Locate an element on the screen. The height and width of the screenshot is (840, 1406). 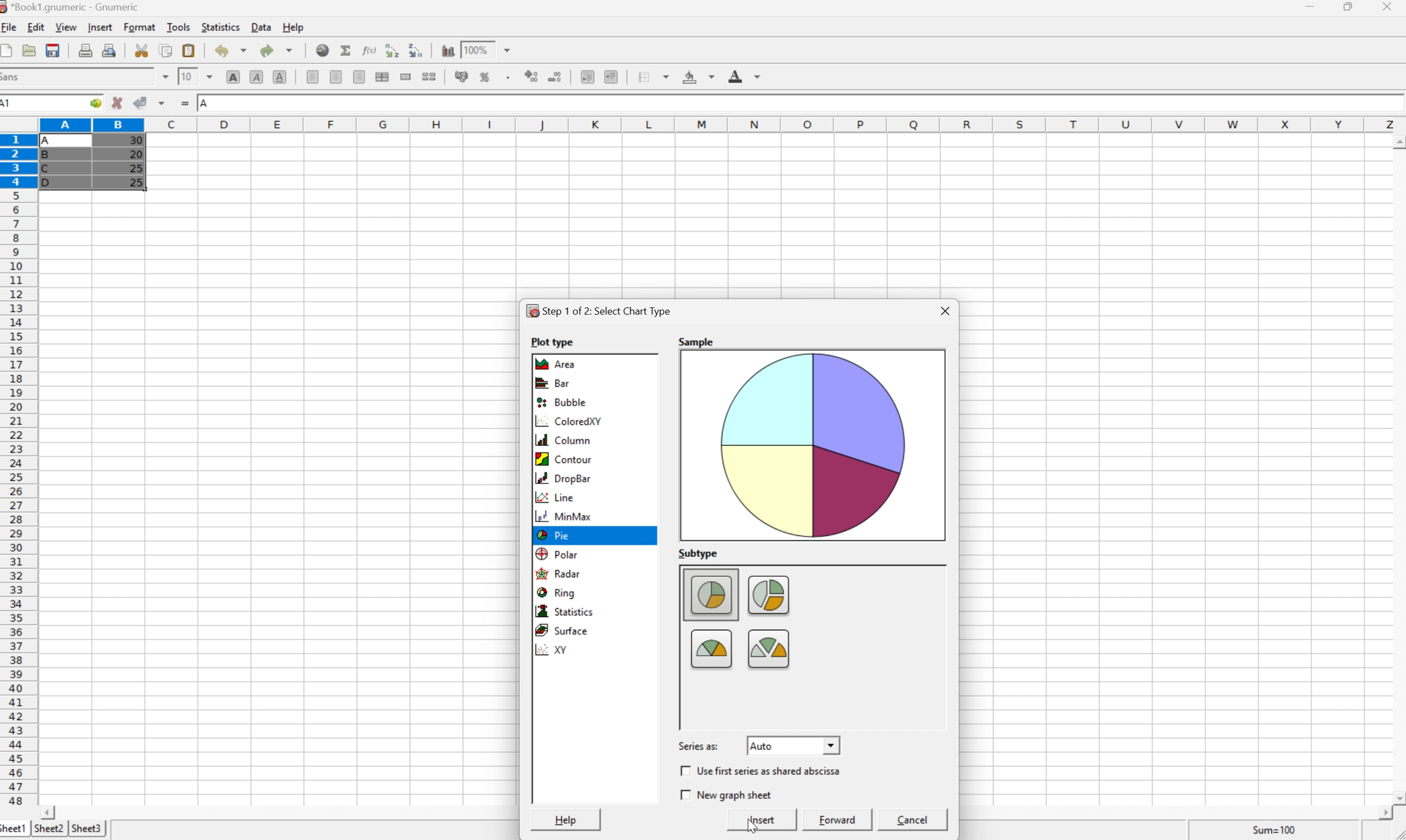
Bold is located at coordinates (233, 77).